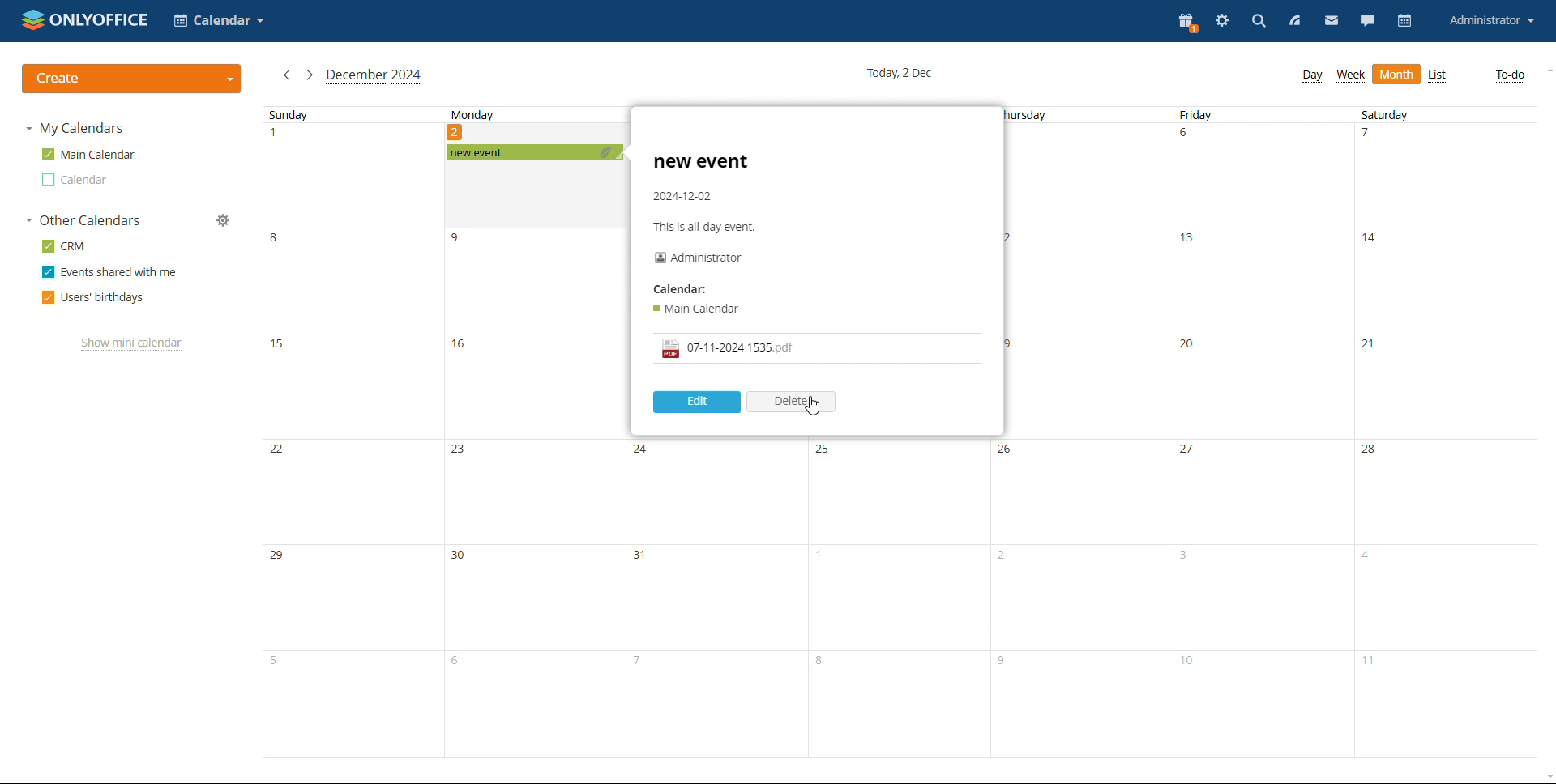 The width and height of the screenshot is (1556, 784). Describe the element at coordinates (727, 348) in the screenshot. I see `Gm 07-11-2024 1535.pdf` at that location.